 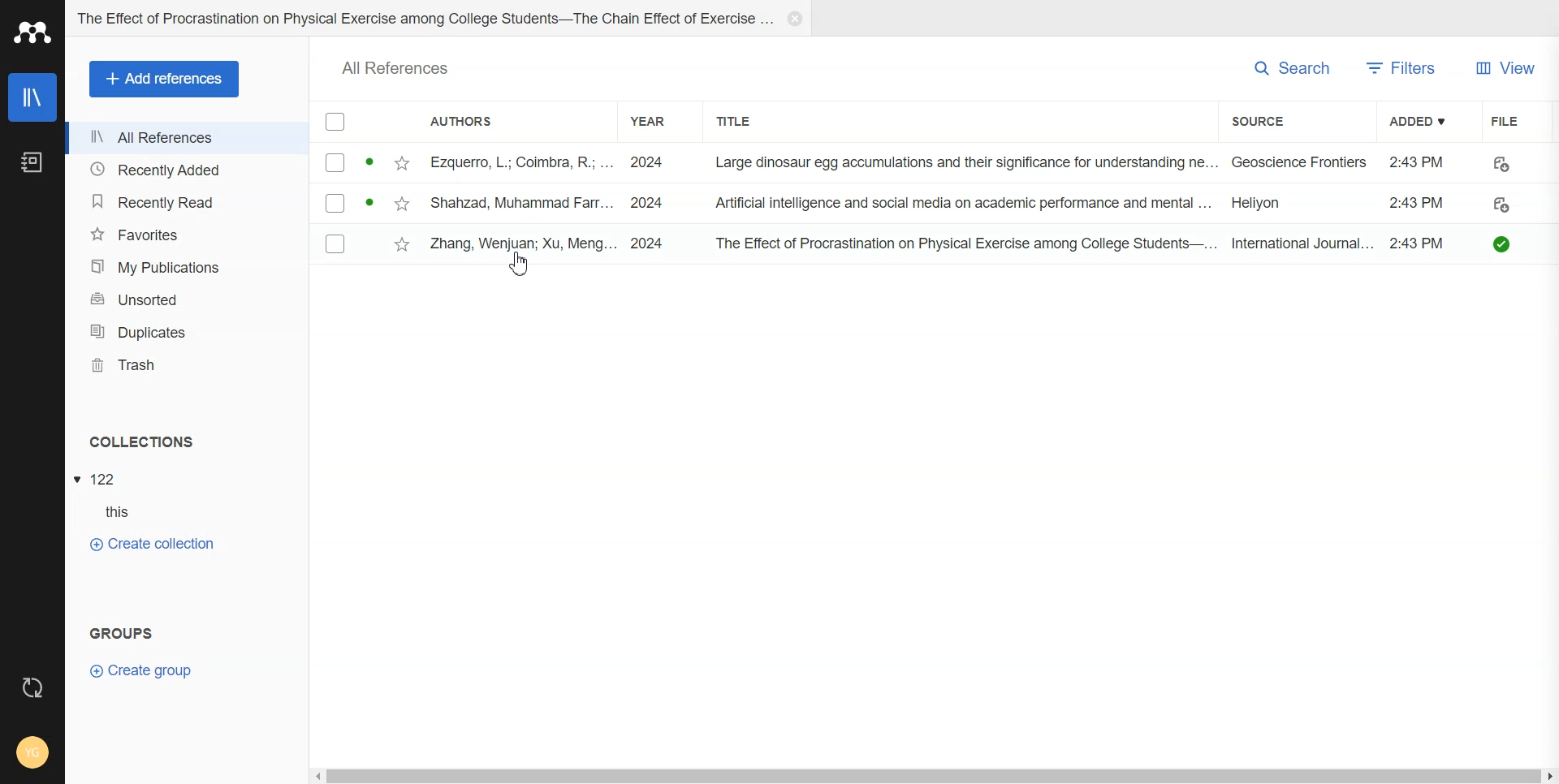 What do you see at coordinates (648, 243) in the screenshot?
I see `2024` at bounding box center [648, 243].